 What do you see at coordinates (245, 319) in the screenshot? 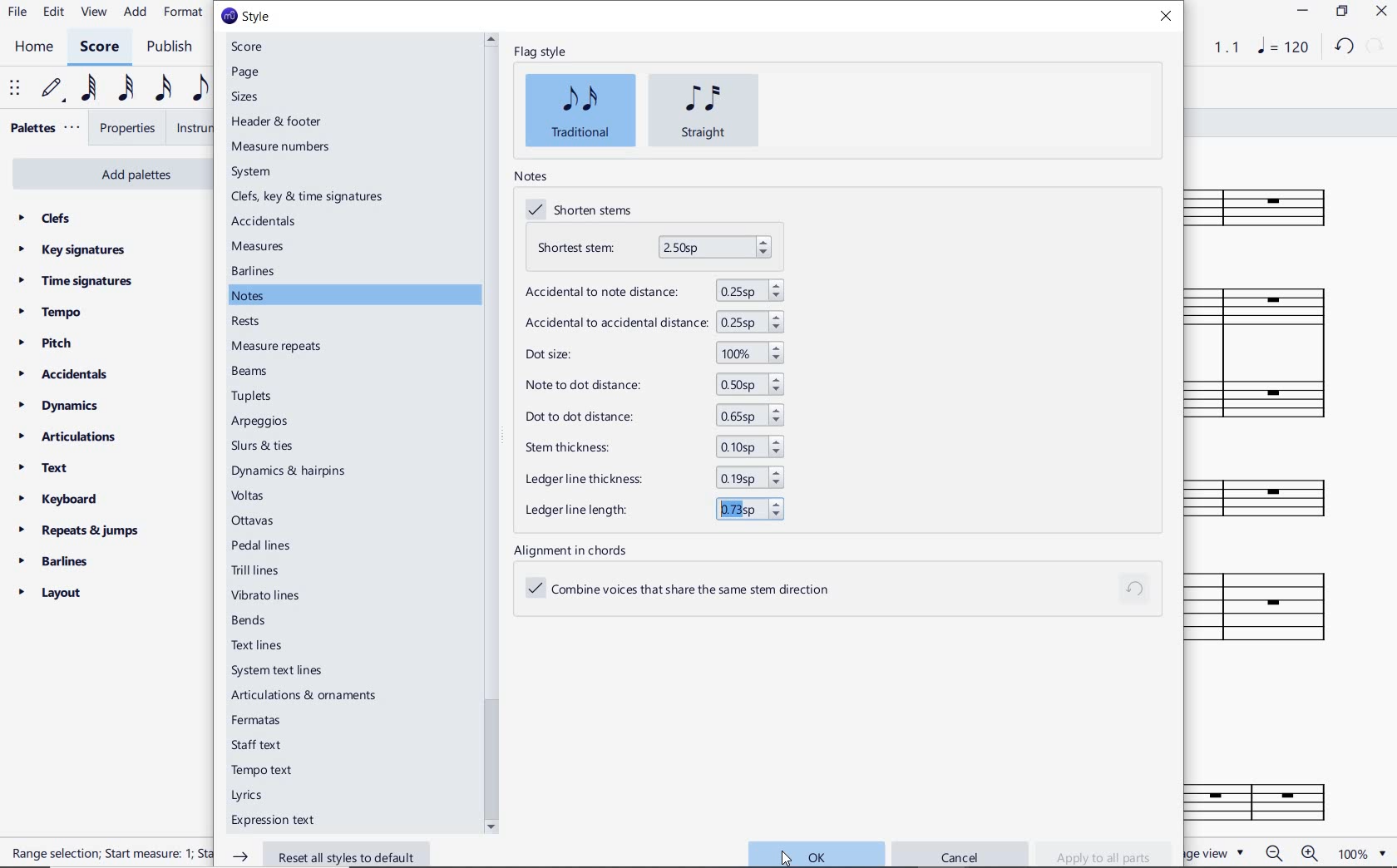
I see `rests` at bounding box center [245, 319].